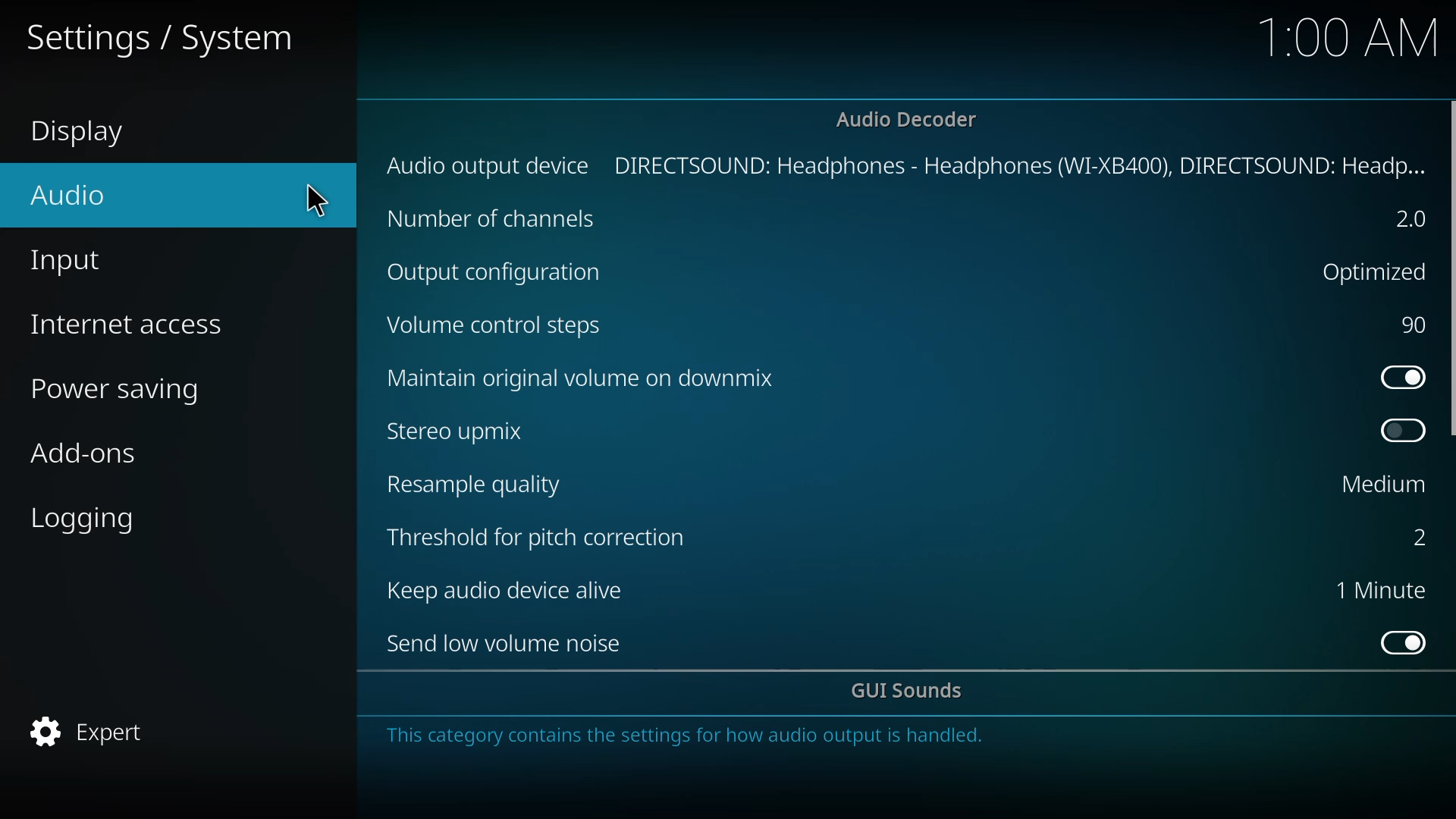 The image size is (1456, 819). Describe the element at coordinates (1377, 271) in the screenshot. I see `optimized` at that location.